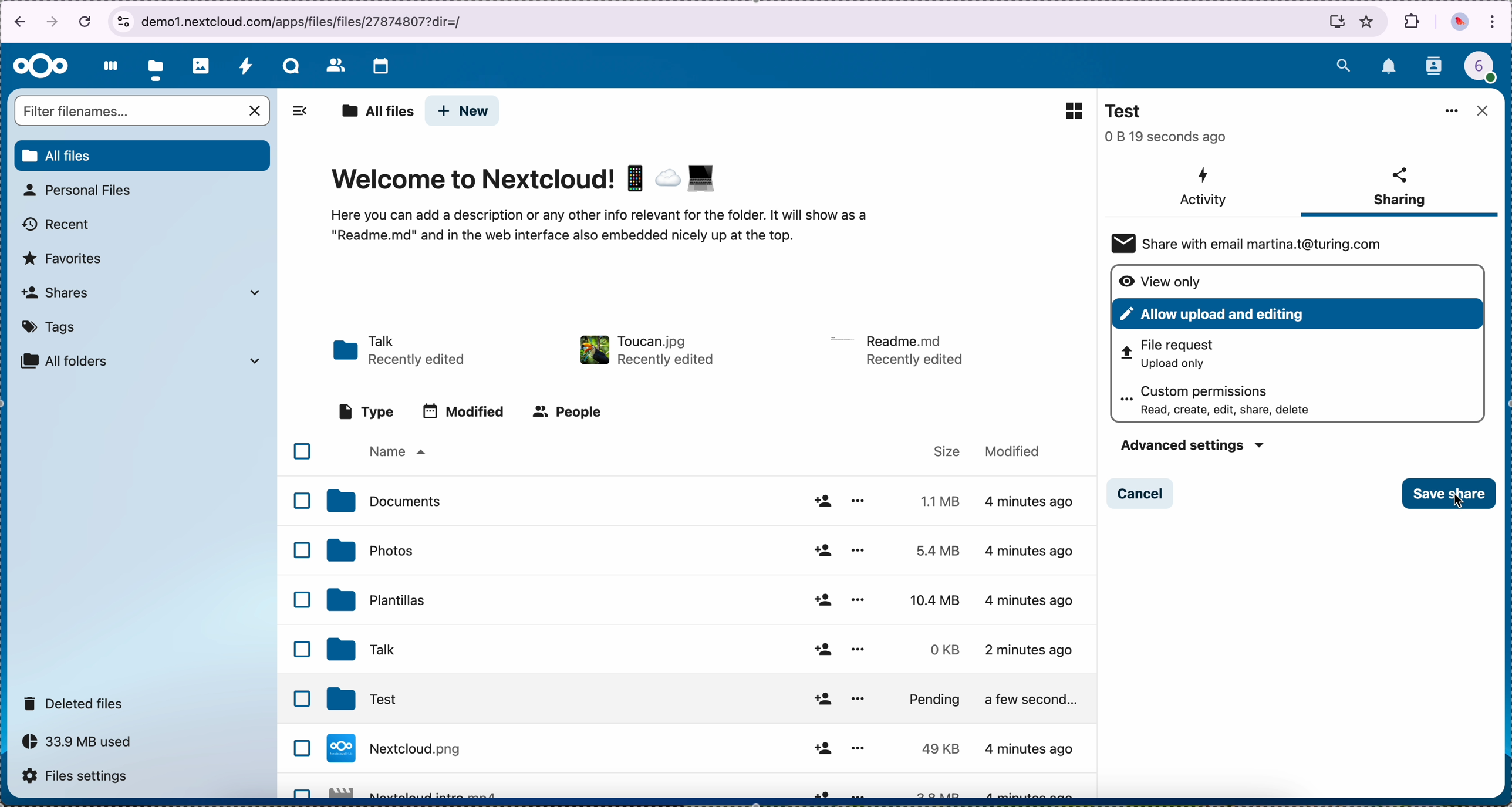 Image resolution: width=1512 pixels, height=807 pixels. Describe the element at coordinates (468, 413) in the screenshot. I see `modified` at that location.